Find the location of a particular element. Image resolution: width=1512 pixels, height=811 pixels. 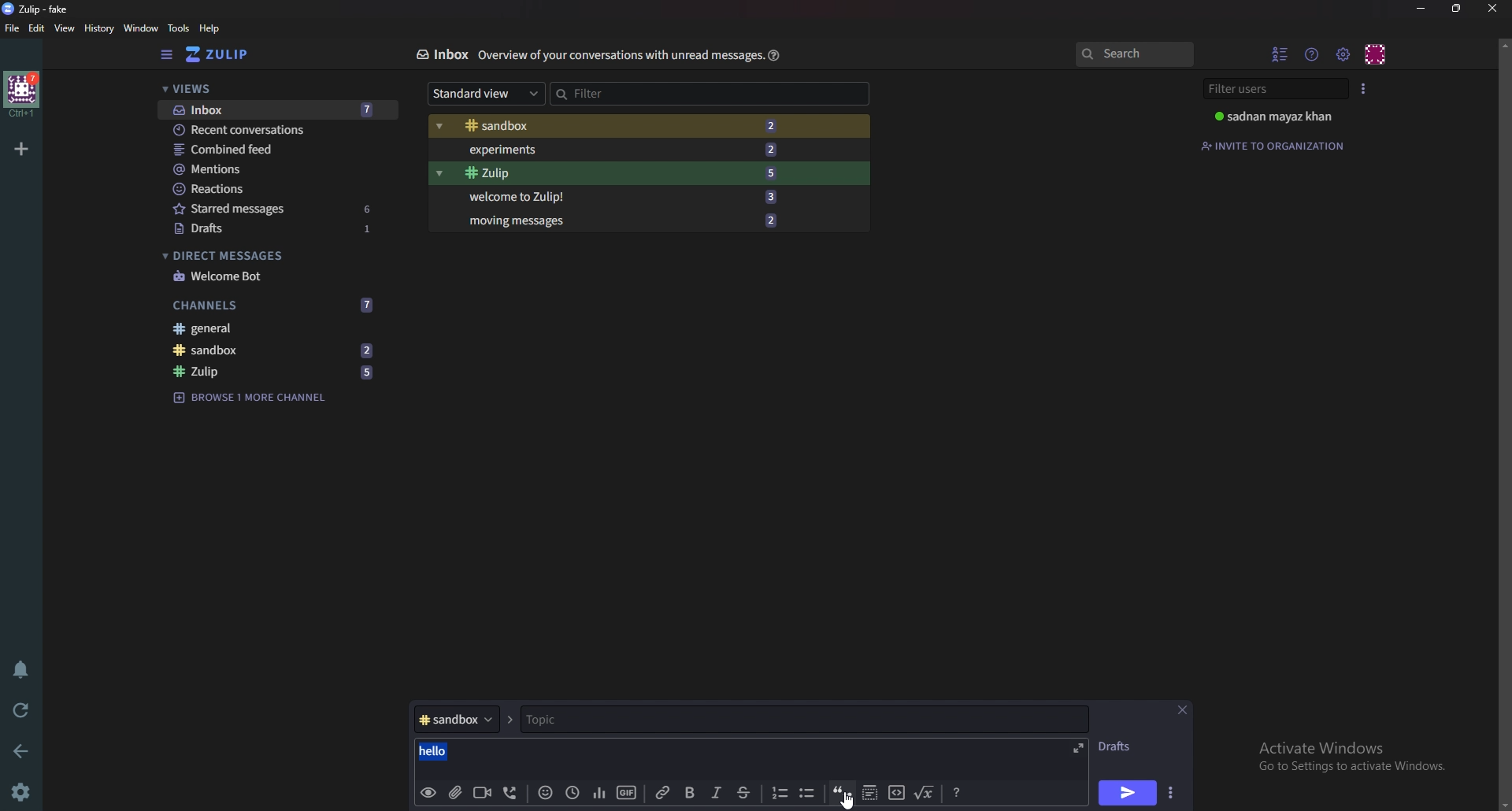

Edit is located at coordinates (37, 28).